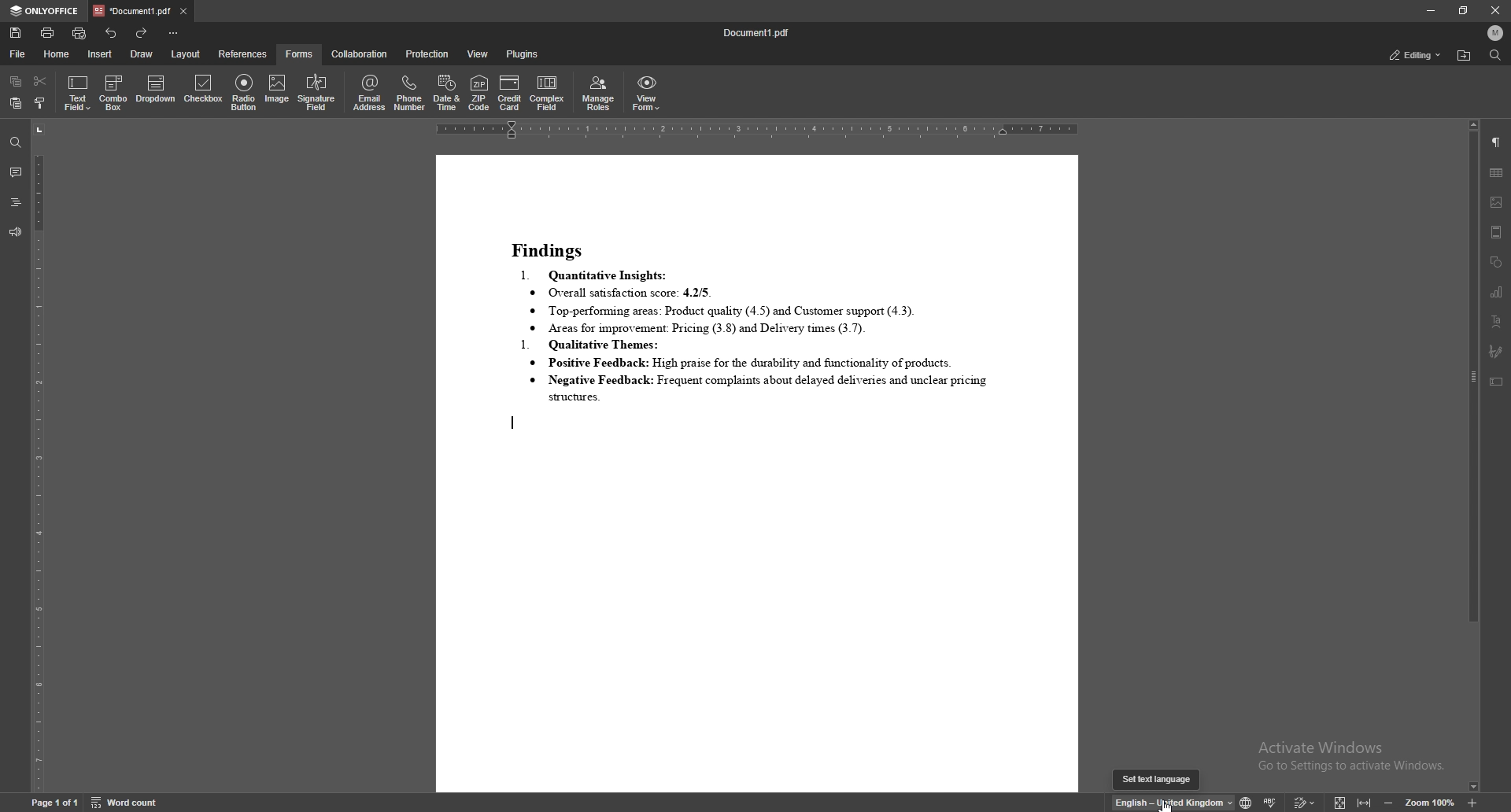 The height and width of the screenshot is (812, 1511). I want to click on scroll bar, so click(1473, 458).